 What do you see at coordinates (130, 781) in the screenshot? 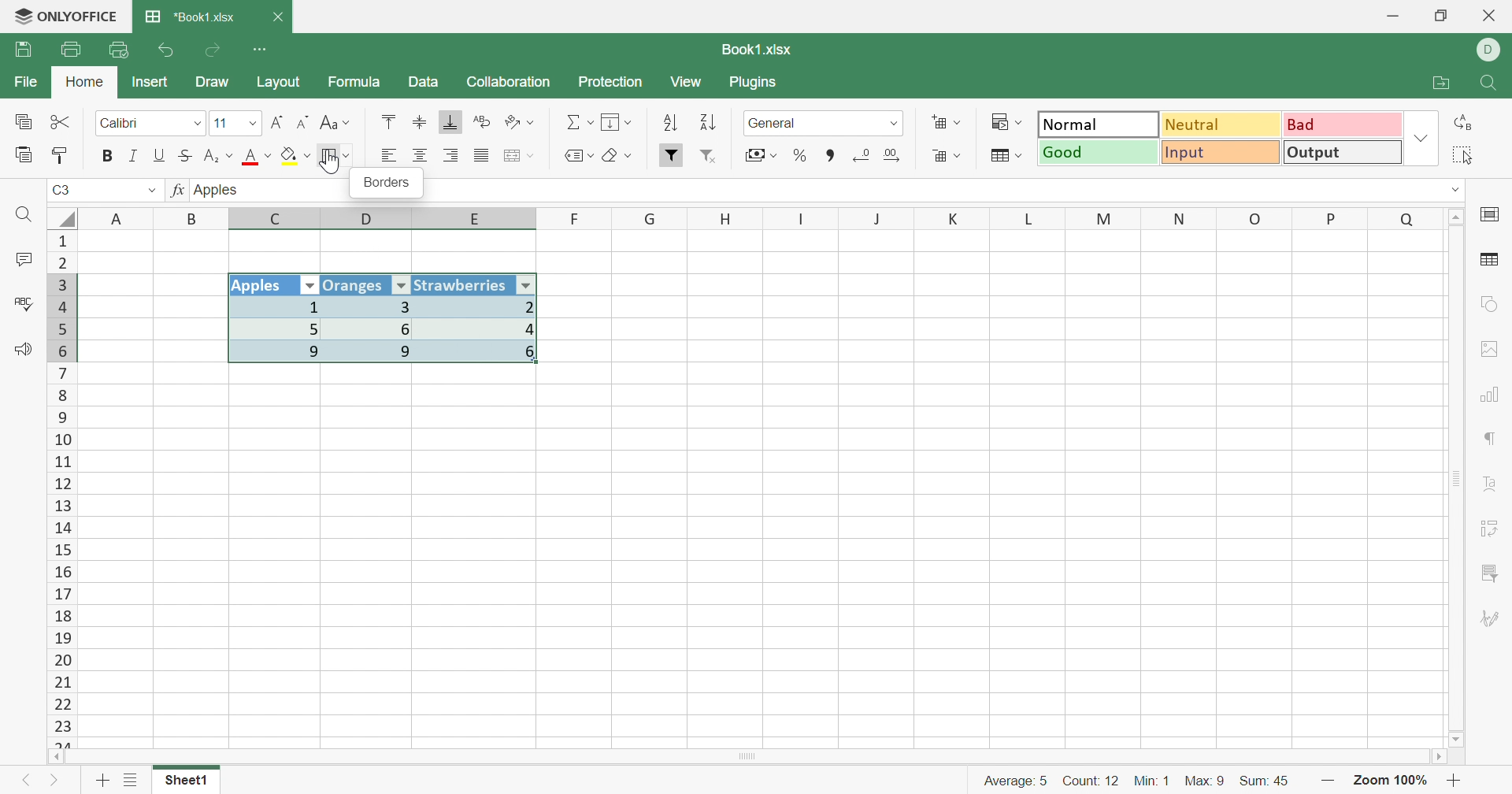
I see `List of sheets` at bounding box center [130, 781].